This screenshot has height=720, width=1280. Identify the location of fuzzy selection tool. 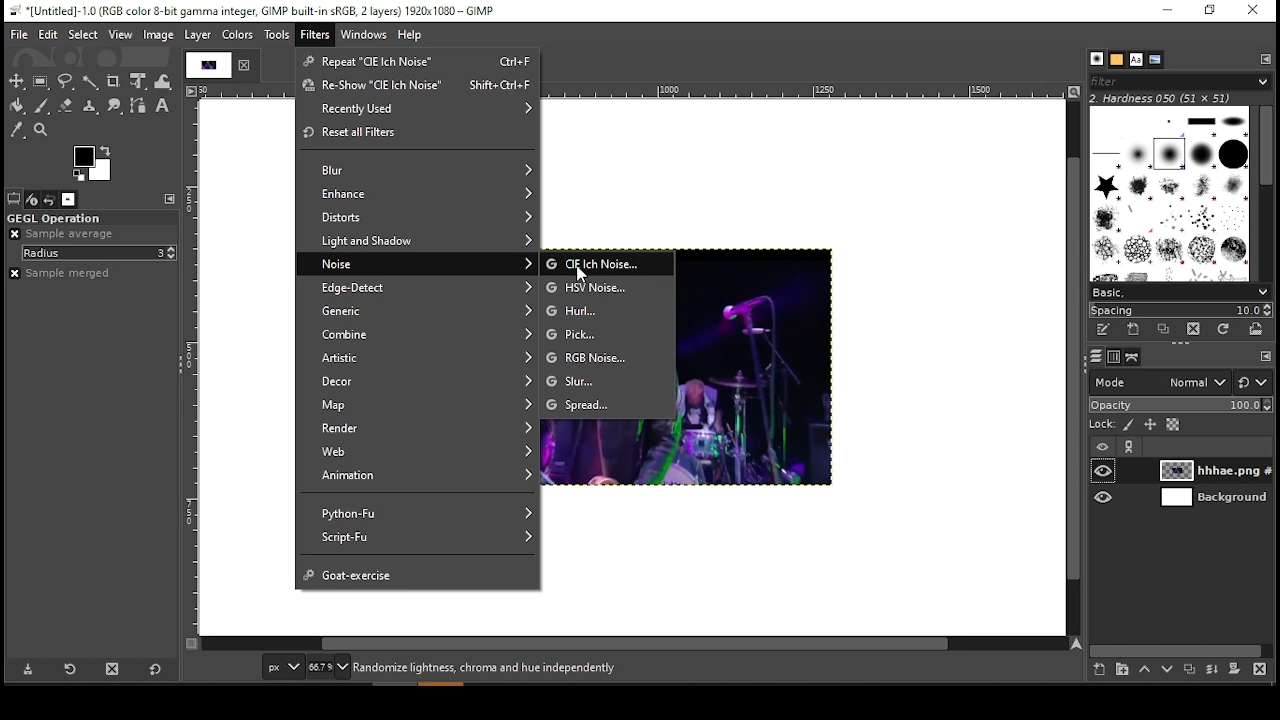
(91, 80).